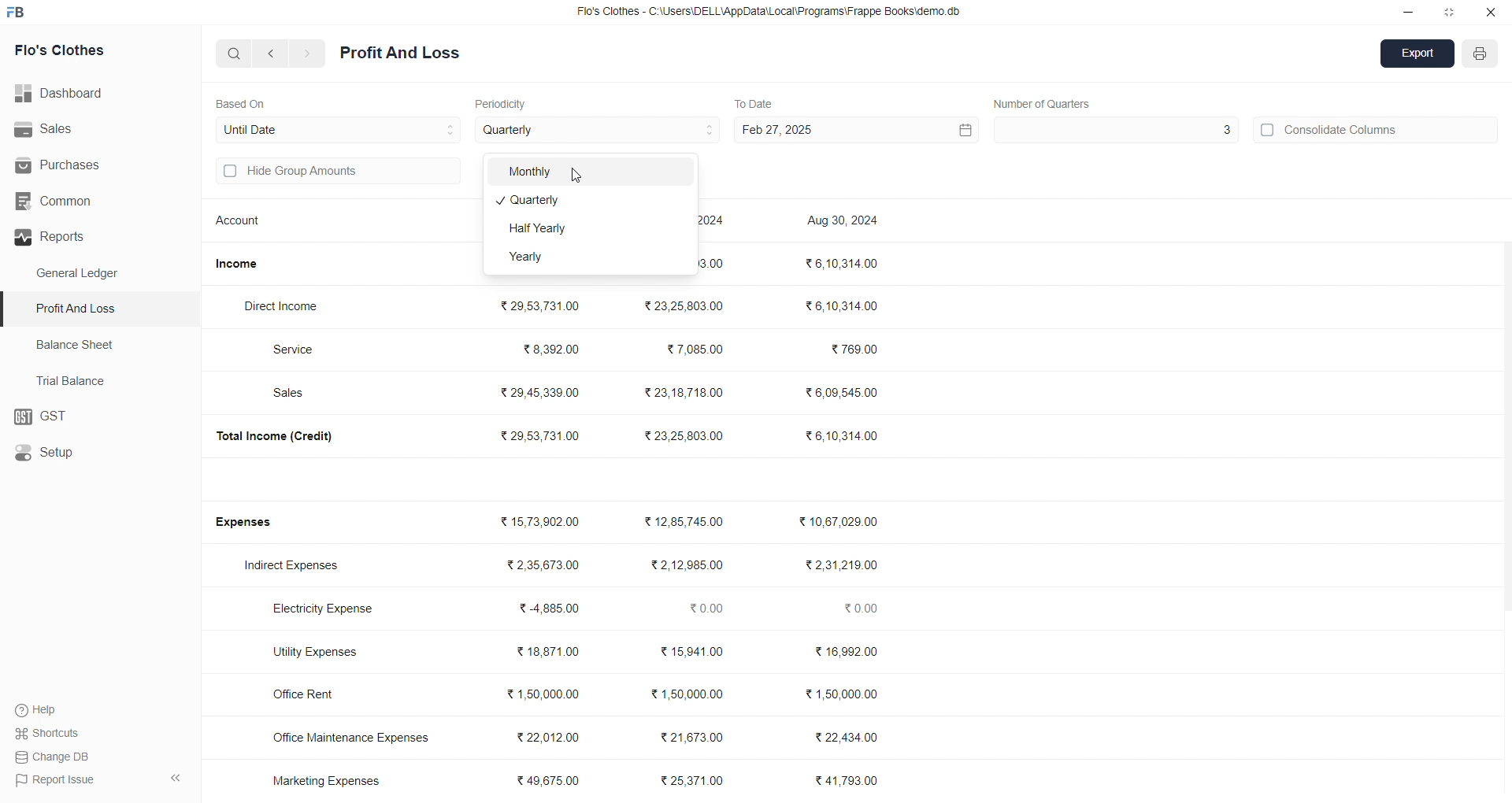 This screenshot has height=803, width=1512. Describe the element at coordinates (686, 695) in the screenshot. I see `₹150,000.00` at that location.